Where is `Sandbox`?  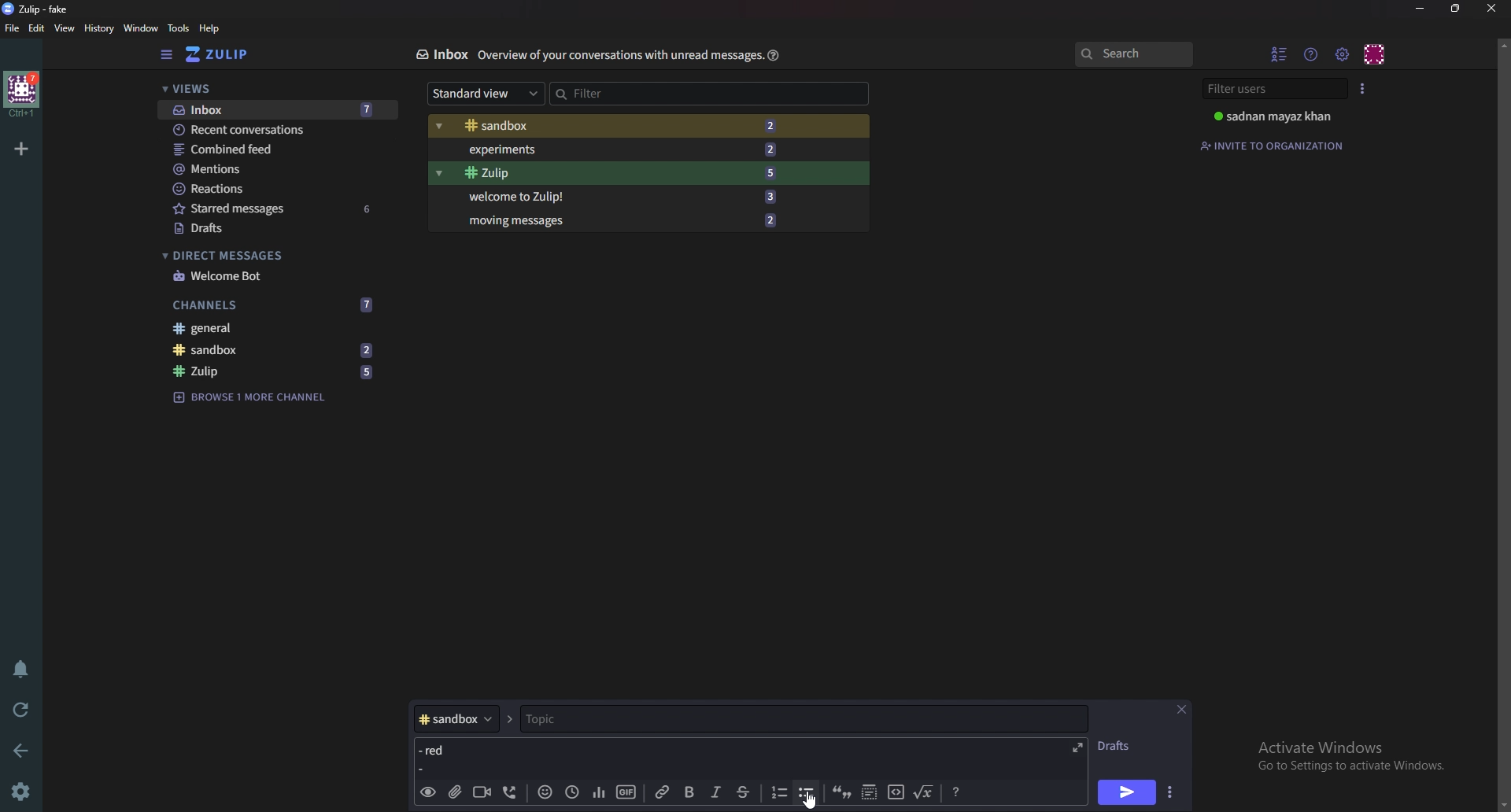 Sandbox is located at coordinates (273, 349).